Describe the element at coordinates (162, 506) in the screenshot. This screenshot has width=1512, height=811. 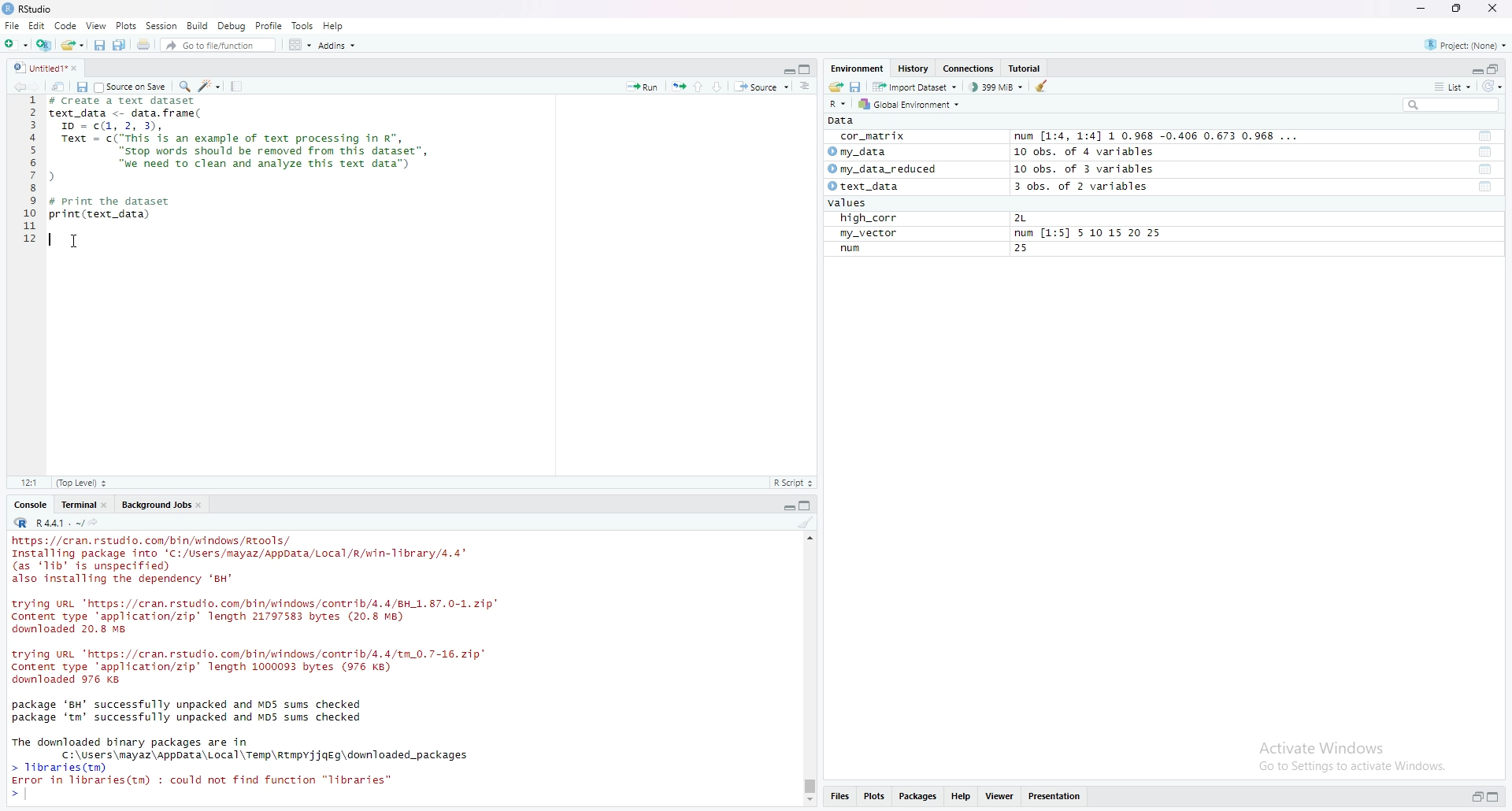
I see `background jobs` at that location.